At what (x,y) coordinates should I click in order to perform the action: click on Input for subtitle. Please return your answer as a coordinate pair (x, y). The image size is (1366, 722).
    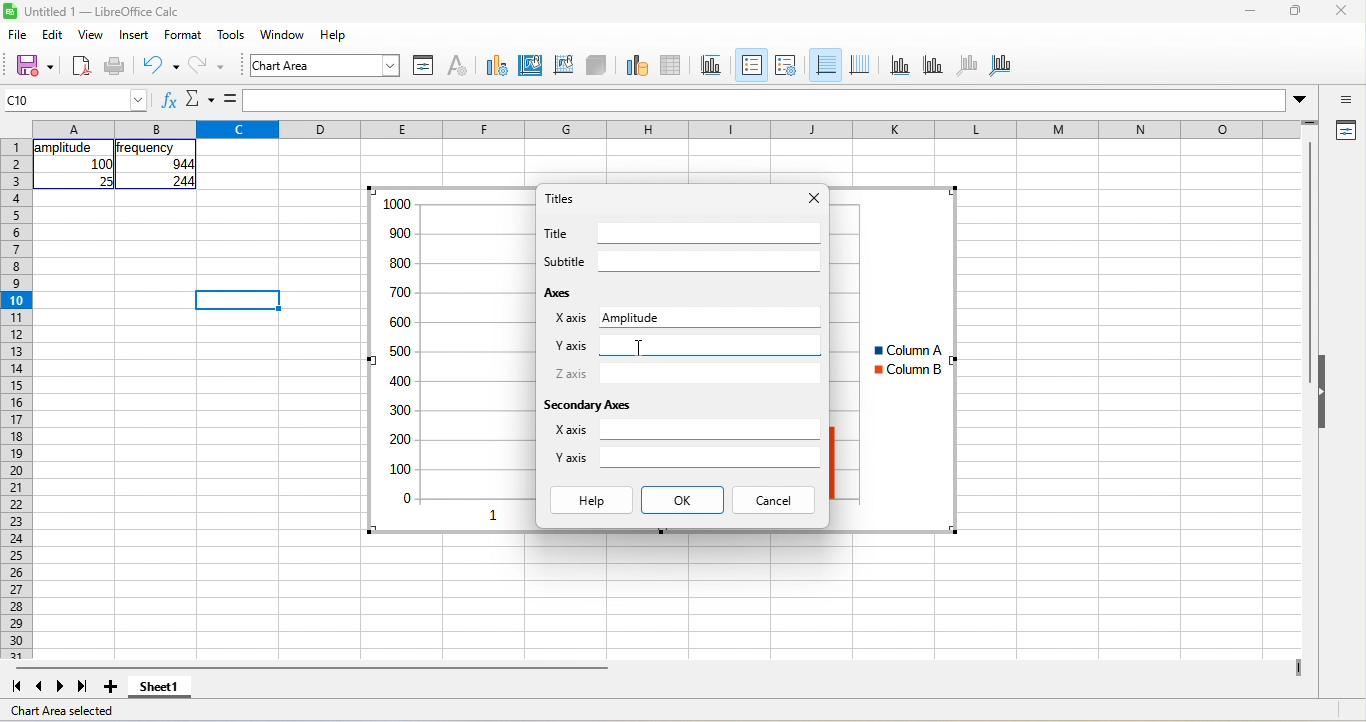
    Looking at the image, I should click on (710, 261).